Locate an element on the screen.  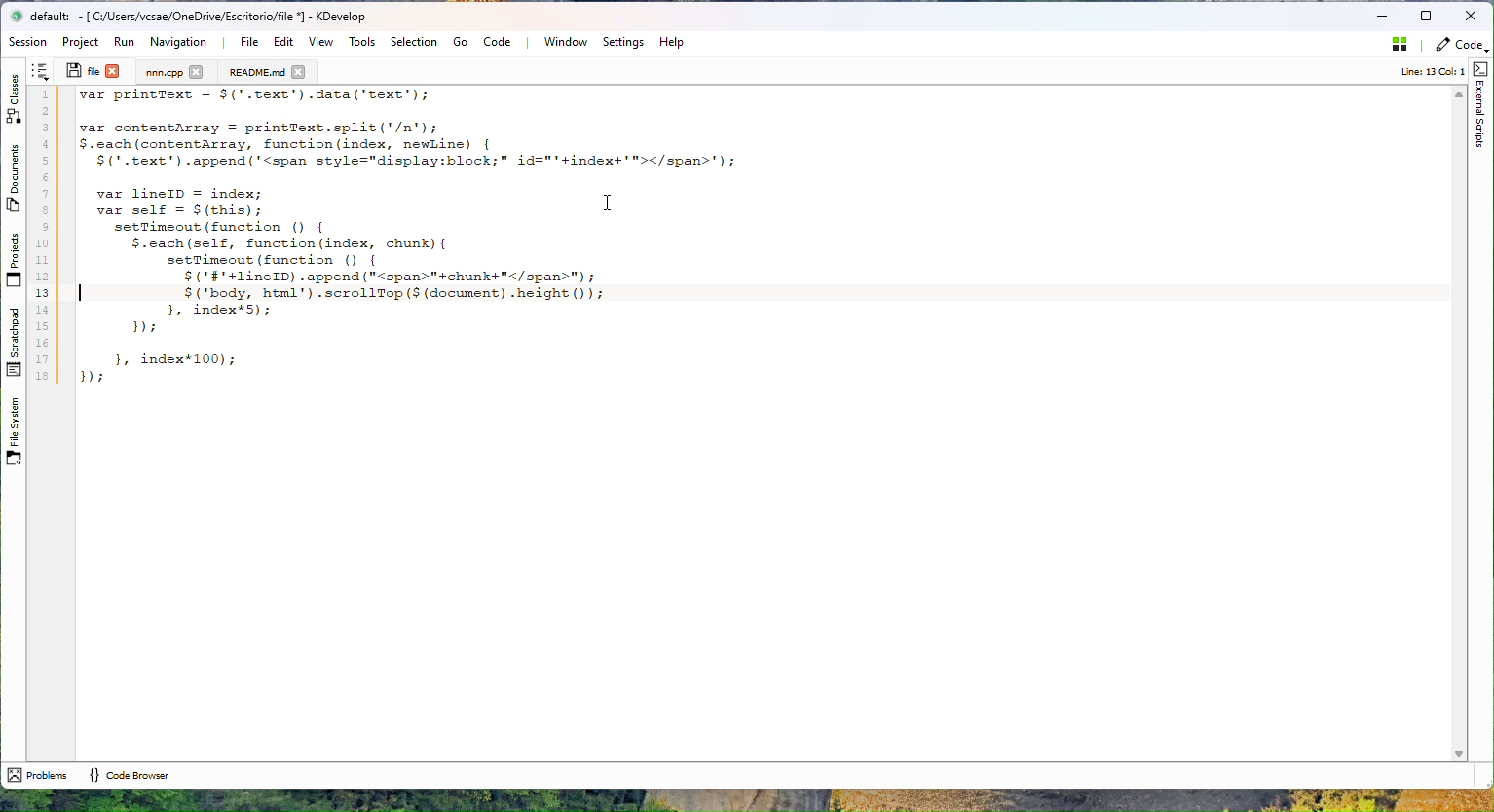
External scripts is located at coordinates (1481, 105).